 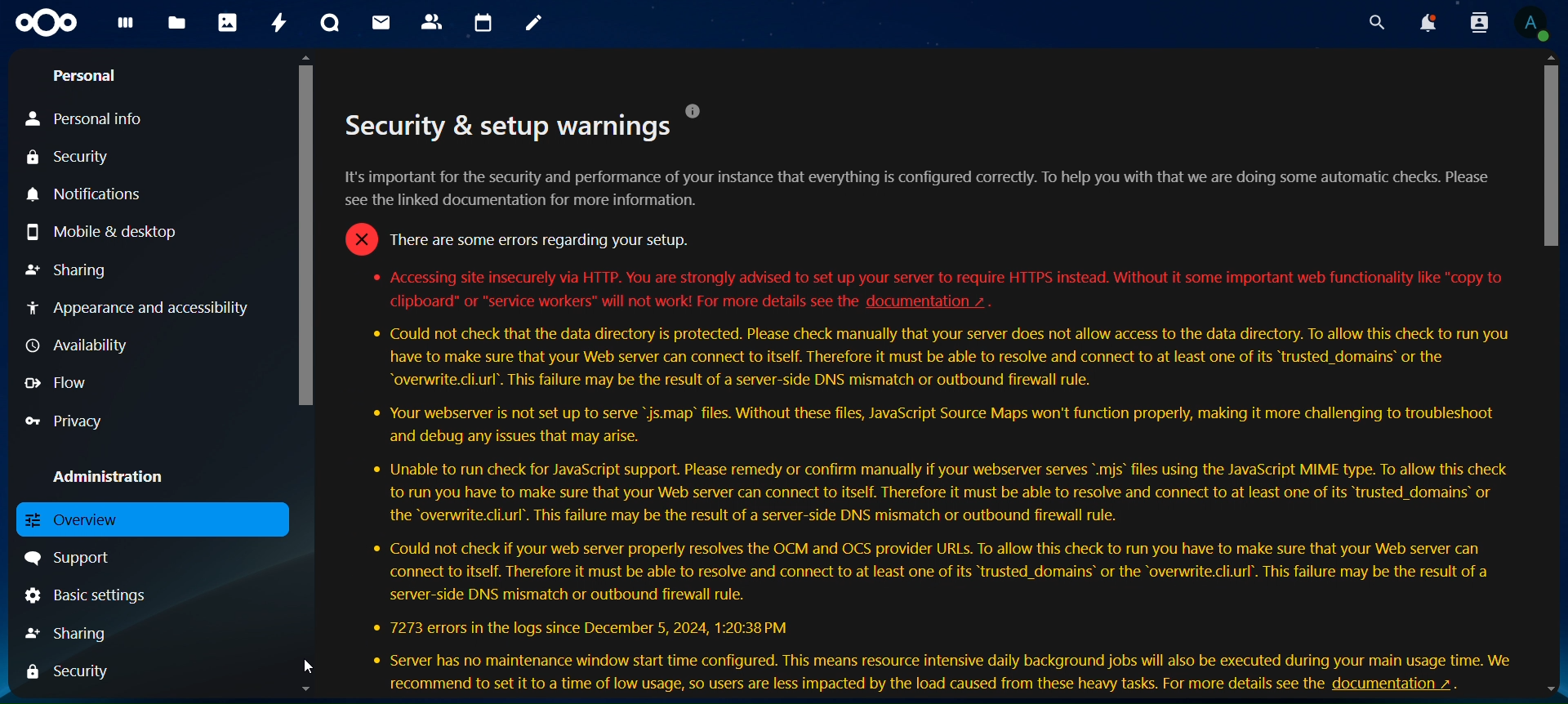 What do you see at coordinates (75, 634) in the screenshot?
I see `sharing` at bounding box center [75, 634].